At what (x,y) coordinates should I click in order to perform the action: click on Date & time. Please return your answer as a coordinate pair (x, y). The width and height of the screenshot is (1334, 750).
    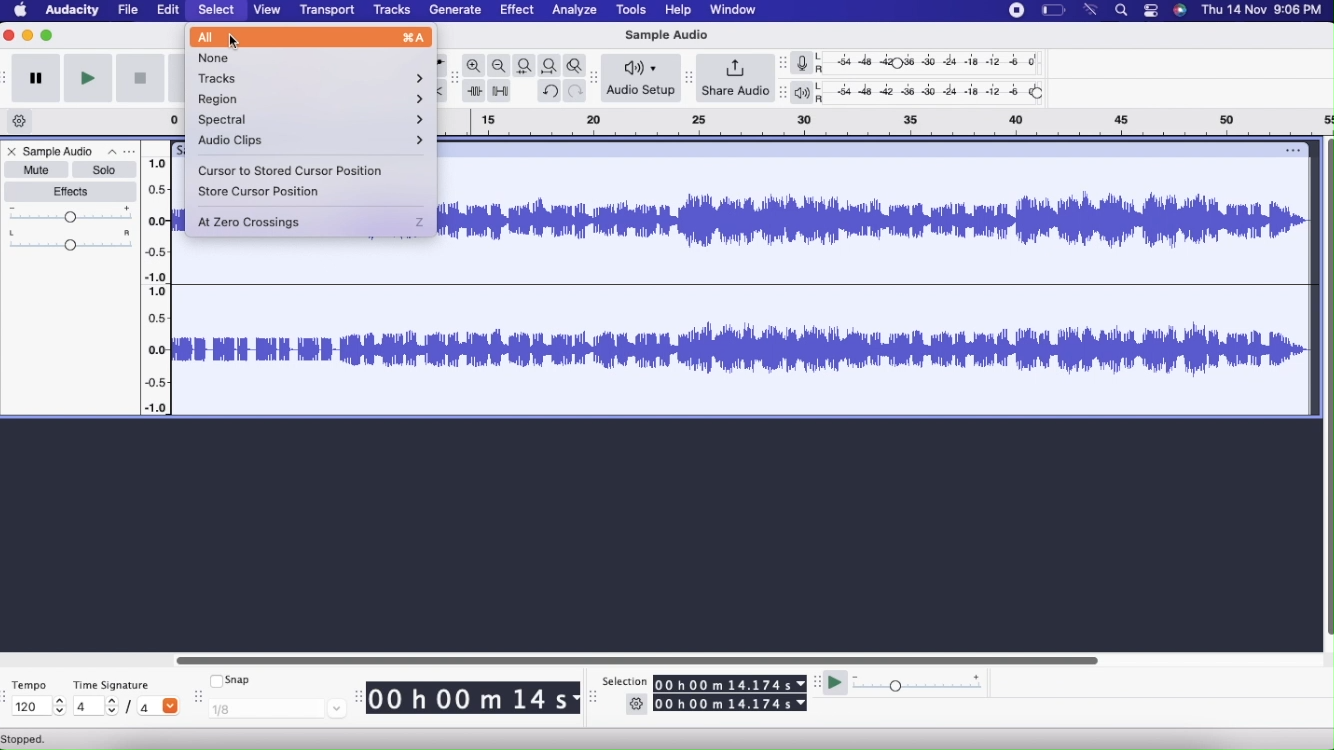
    Looking at the image, I should click on (1262, 10).